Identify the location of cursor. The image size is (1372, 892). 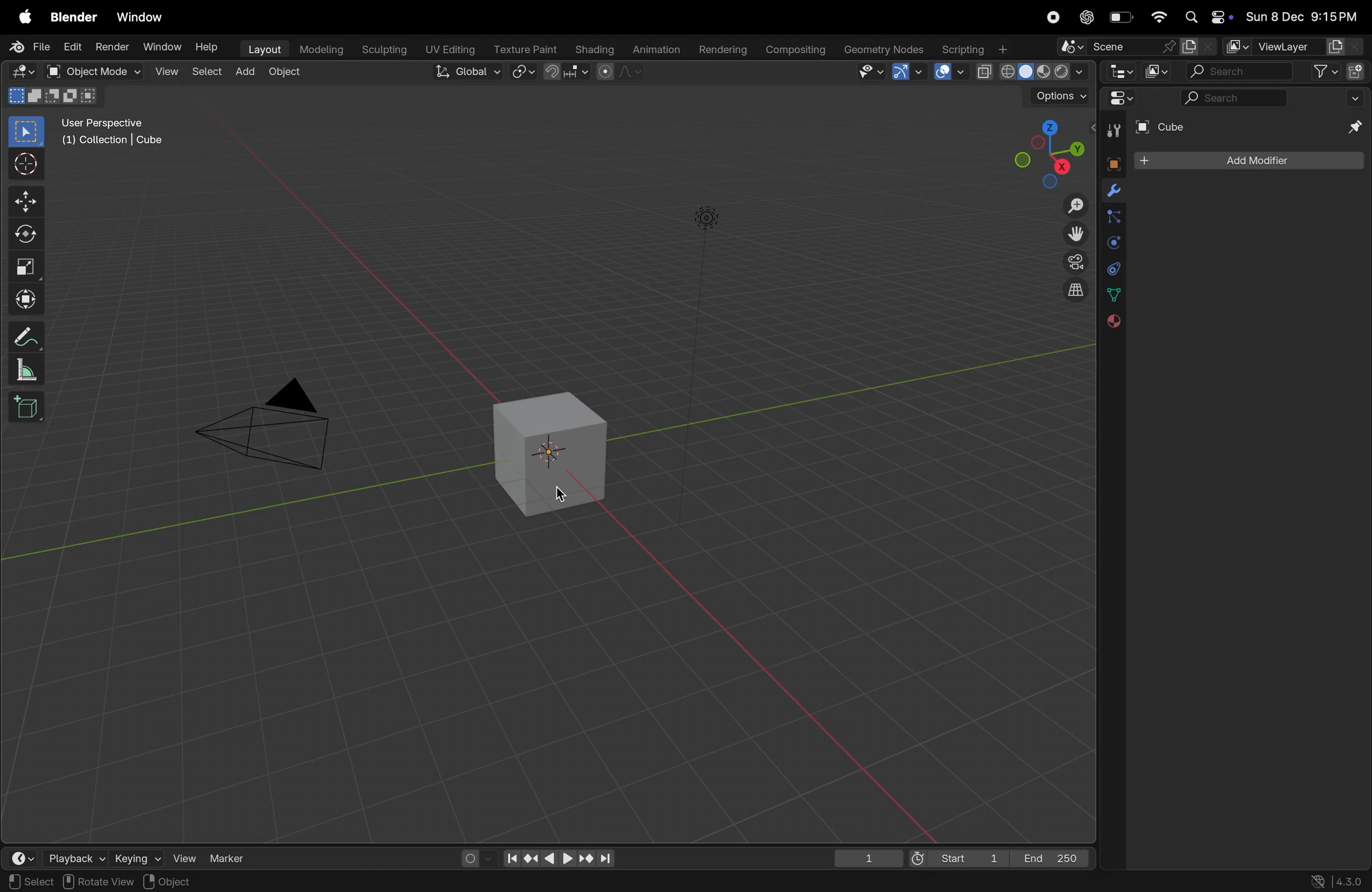
(562, 496).